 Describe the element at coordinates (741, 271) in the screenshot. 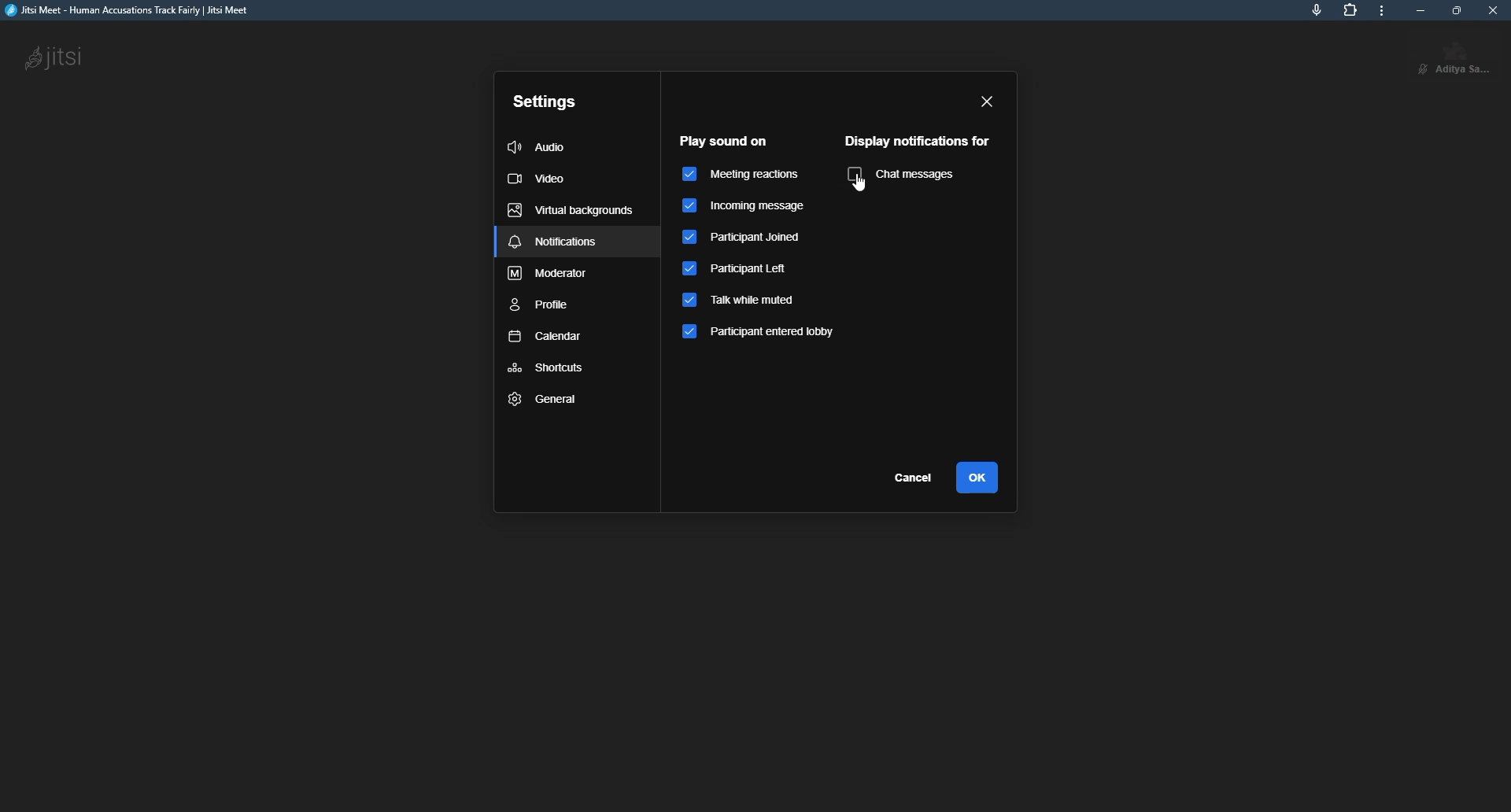

I see `participant left` at that location.